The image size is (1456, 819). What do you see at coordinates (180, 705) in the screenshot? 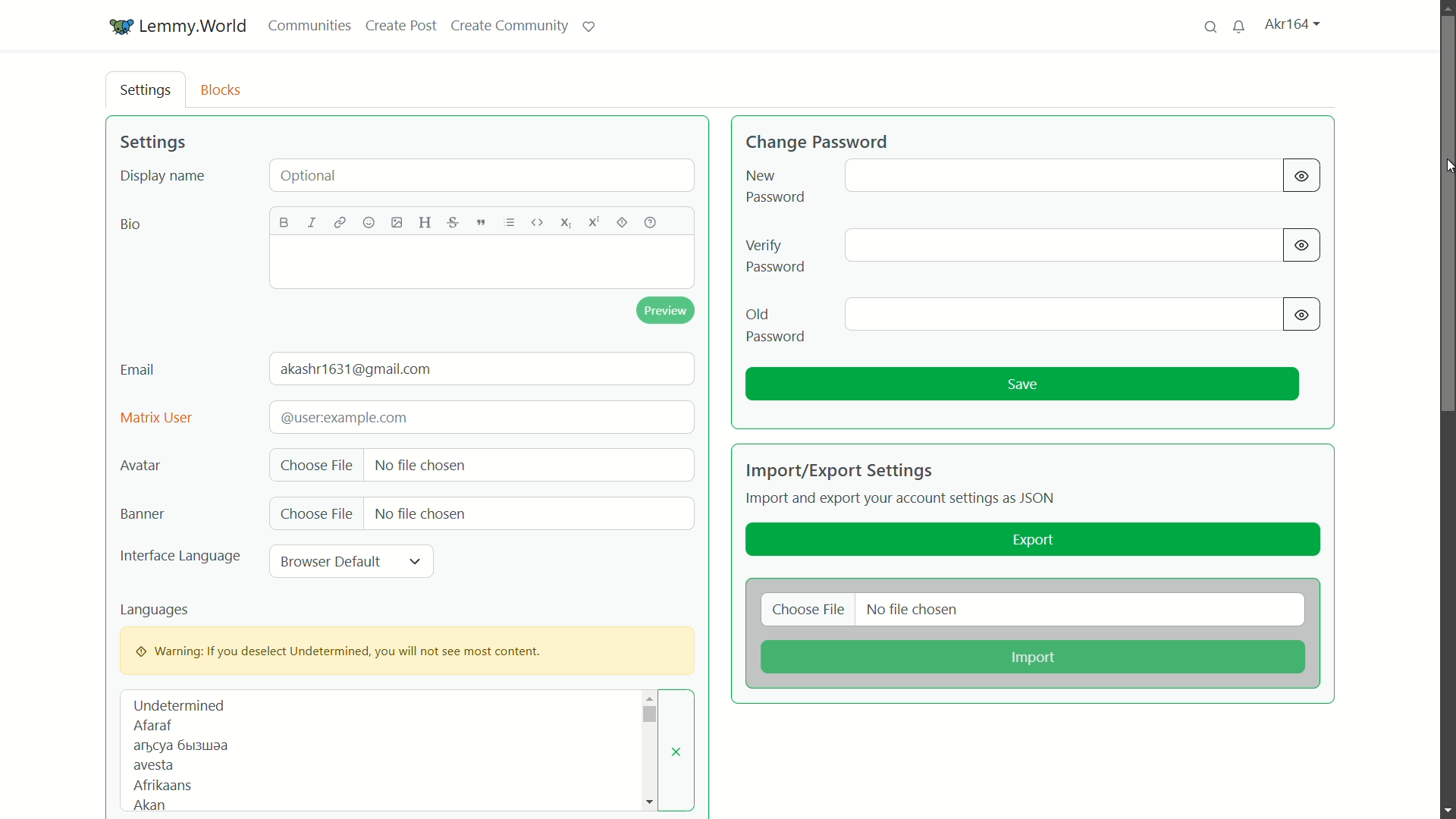
I see `undetermined` at bounding box center [180, 705].